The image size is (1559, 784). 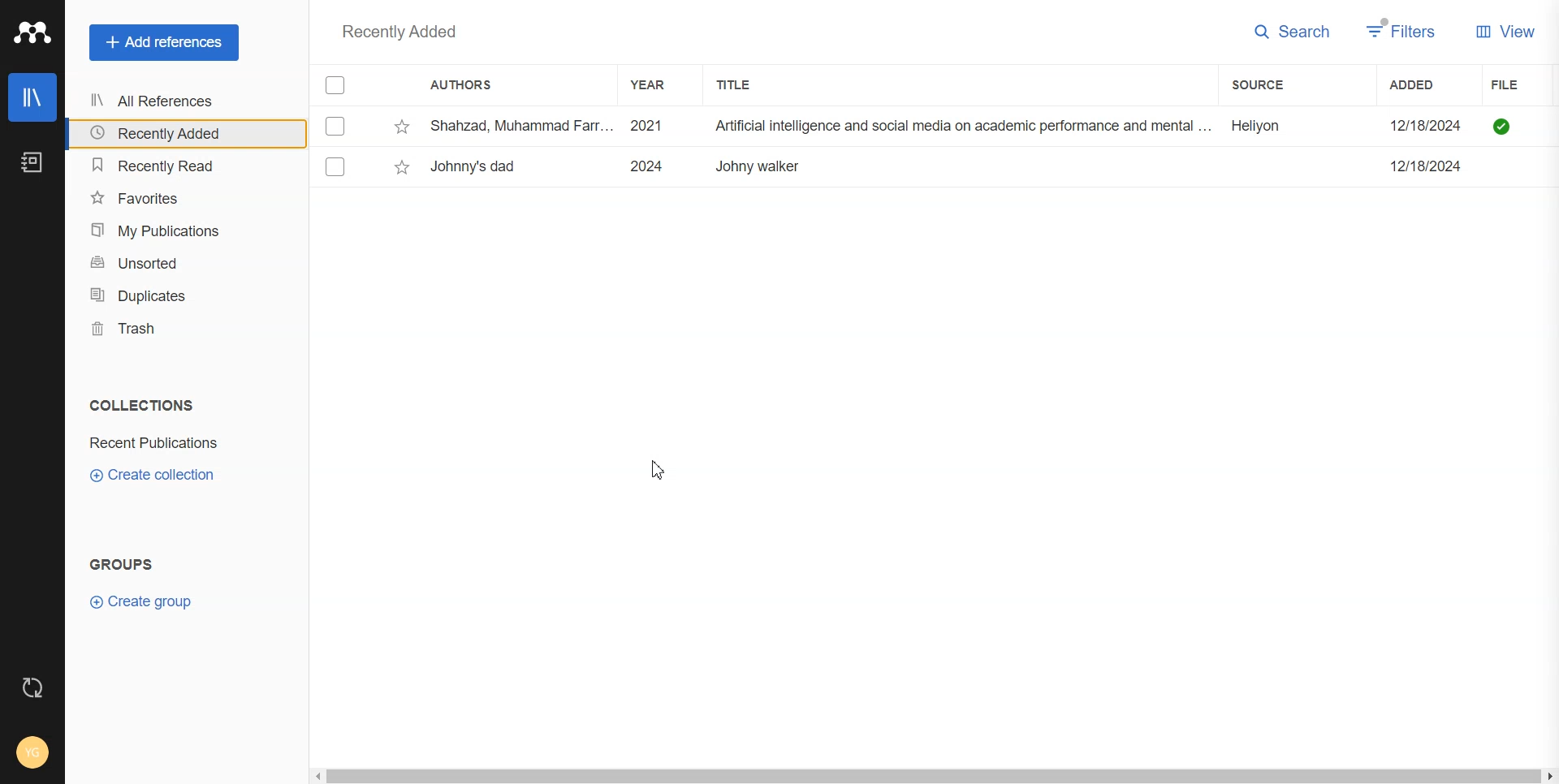 I want to click on scrollbar, so click(x=933, y=776).